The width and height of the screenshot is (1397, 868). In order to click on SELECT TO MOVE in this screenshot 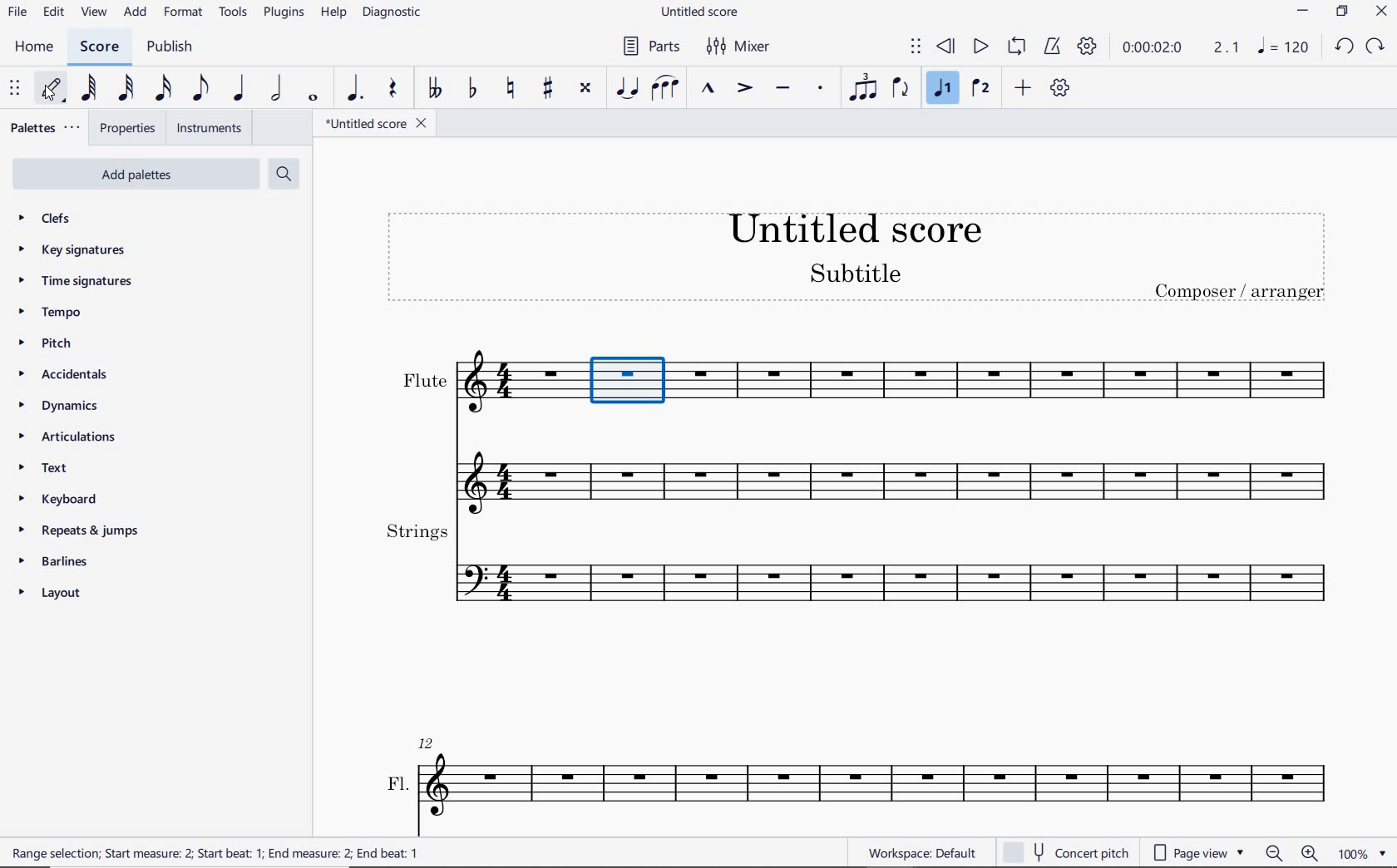, I will do `click(916, 47)`.